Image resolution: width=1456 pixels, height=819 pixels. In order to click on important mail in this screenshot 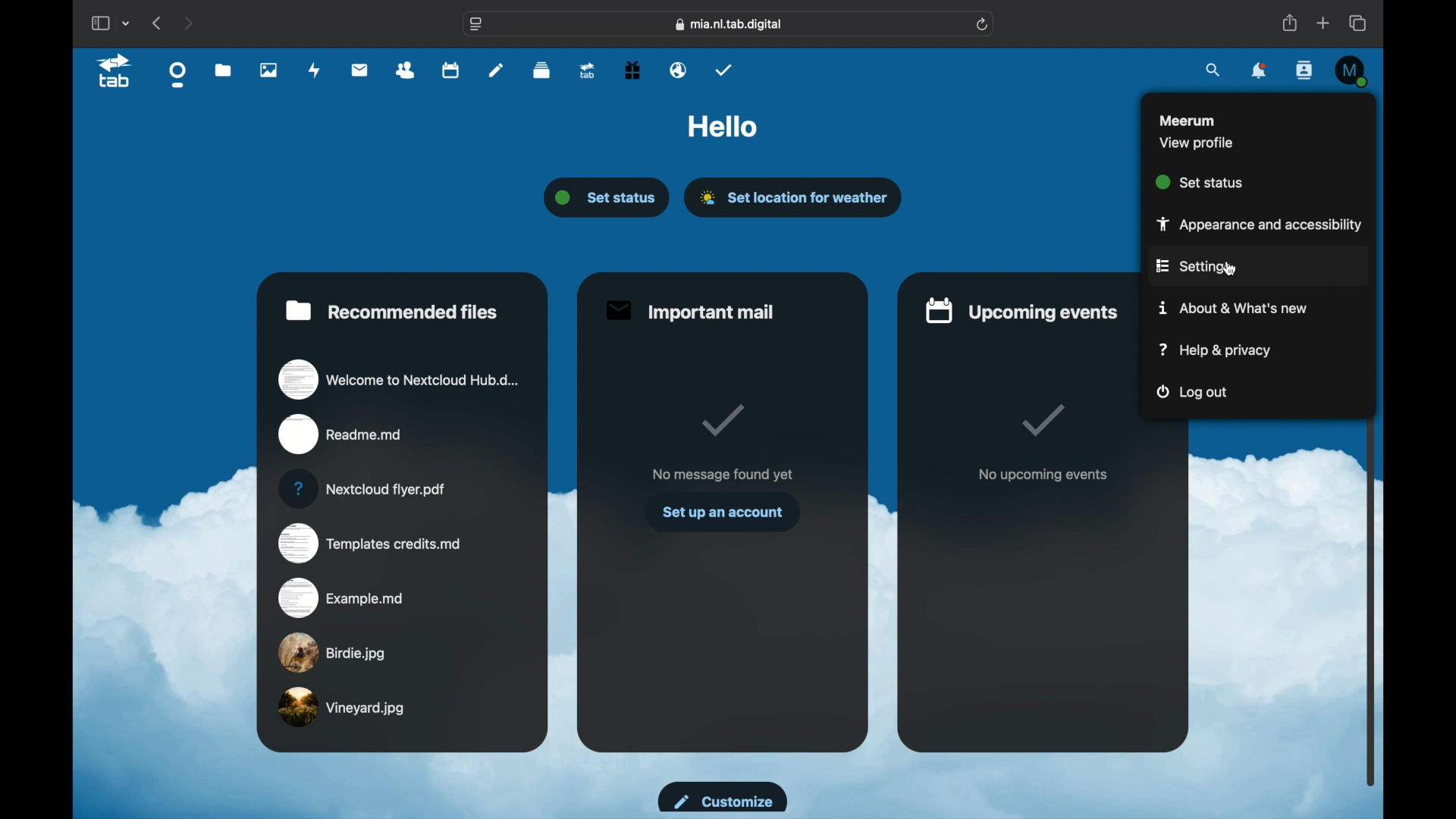, I will do `click(689, 311)`.